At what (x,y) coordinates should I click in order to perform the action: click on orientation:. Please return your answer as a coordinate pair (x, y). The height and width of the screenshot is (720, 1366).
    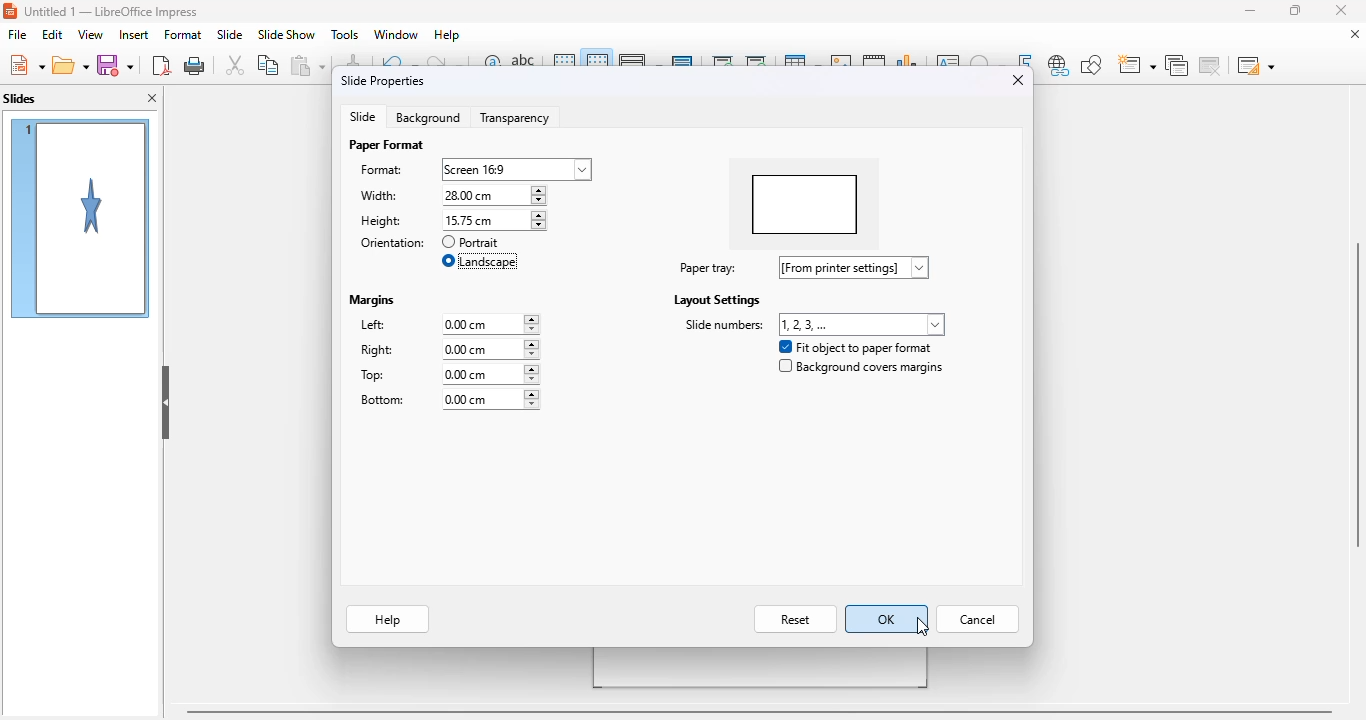
    Looking at the image, I should click on (394, 242).